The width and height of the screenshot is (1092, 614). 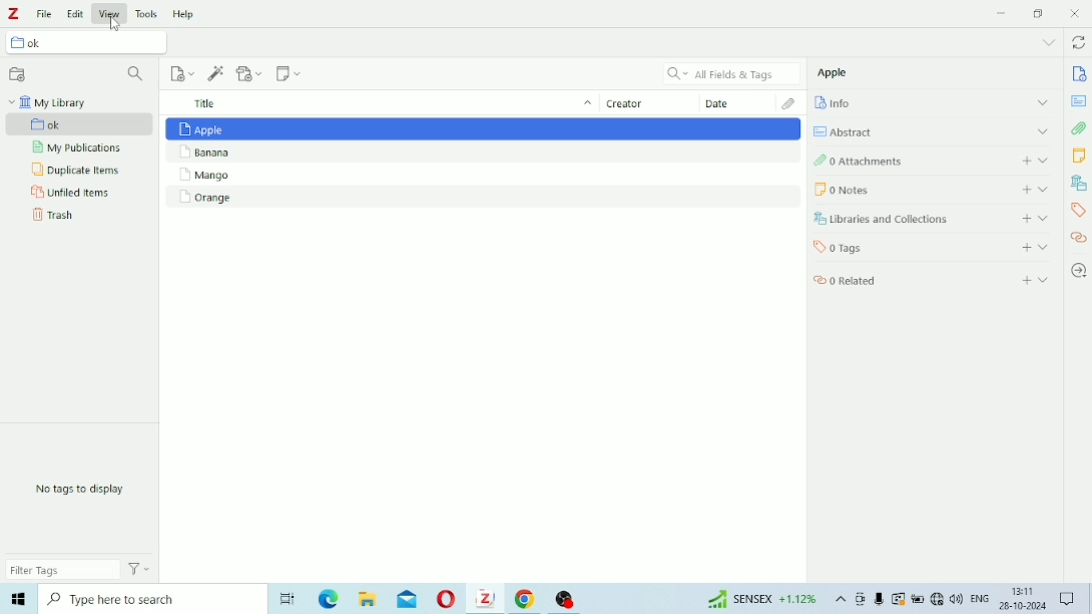 What do you see at coordinates (73, 124) in the screenshot?
I see `ok` at bounding box center [73, 124].